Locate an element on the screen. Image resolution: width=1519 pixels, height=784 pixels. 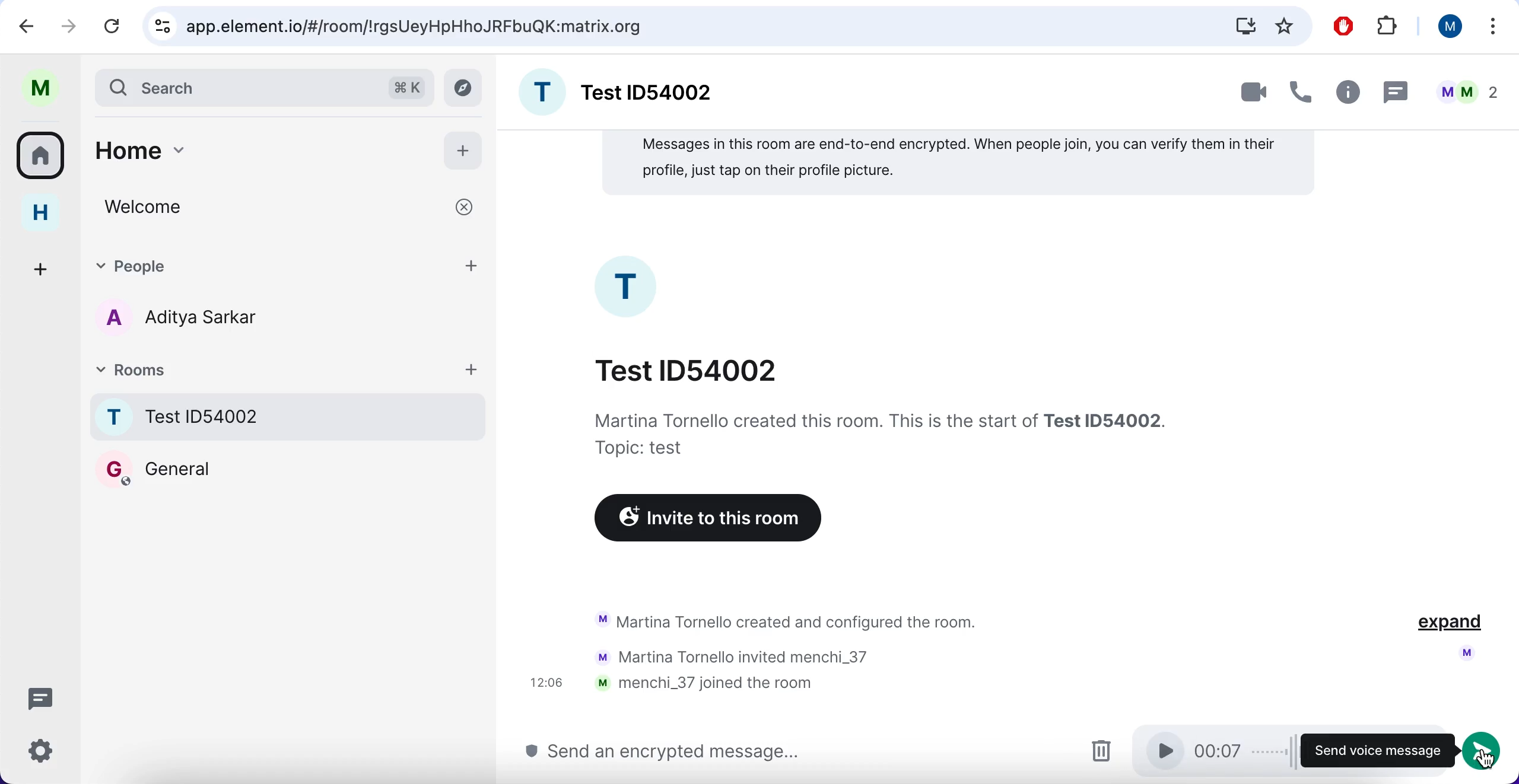
cursor is located at coordinates (1489, 762).